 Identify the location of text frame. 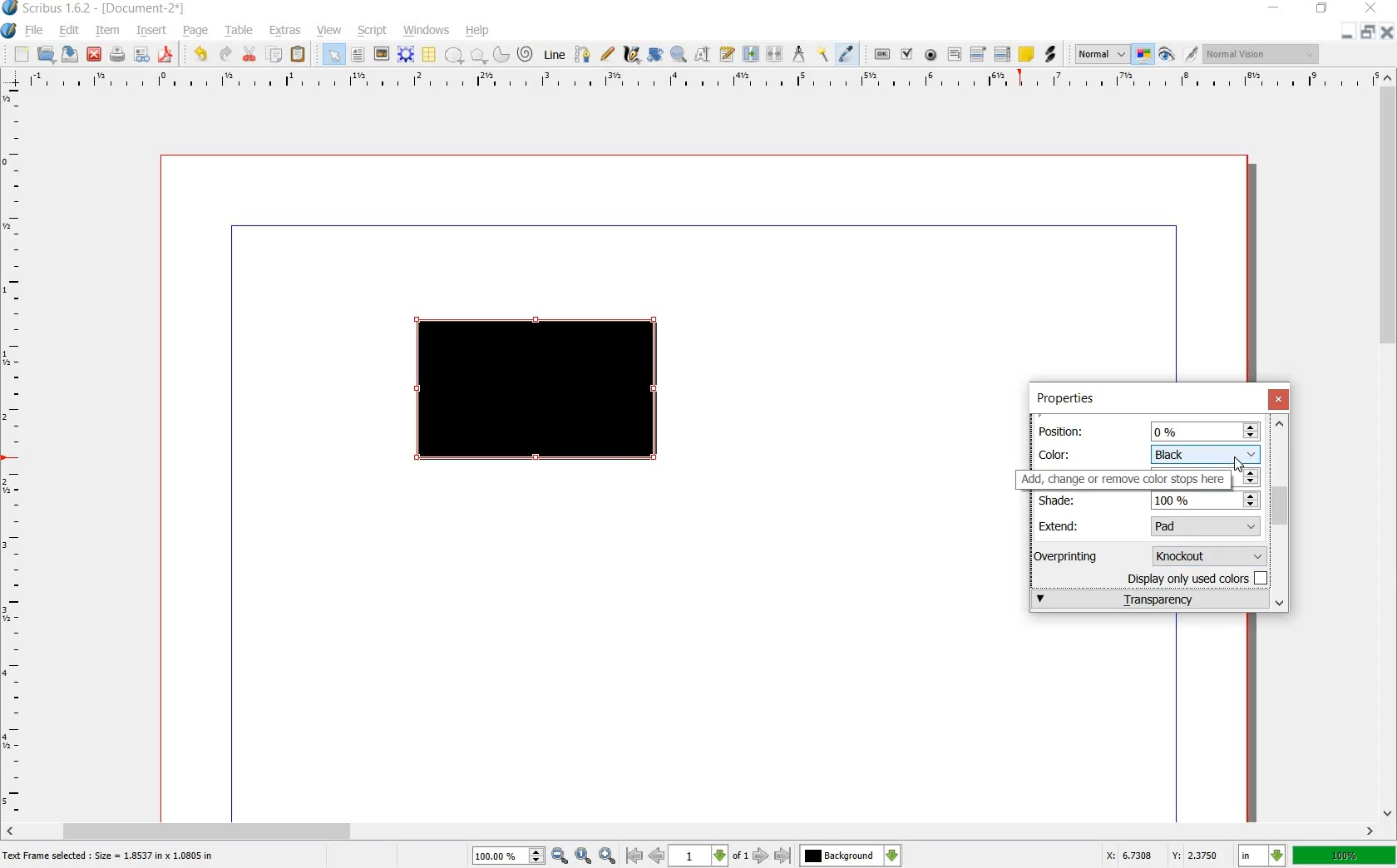
(357, 55).